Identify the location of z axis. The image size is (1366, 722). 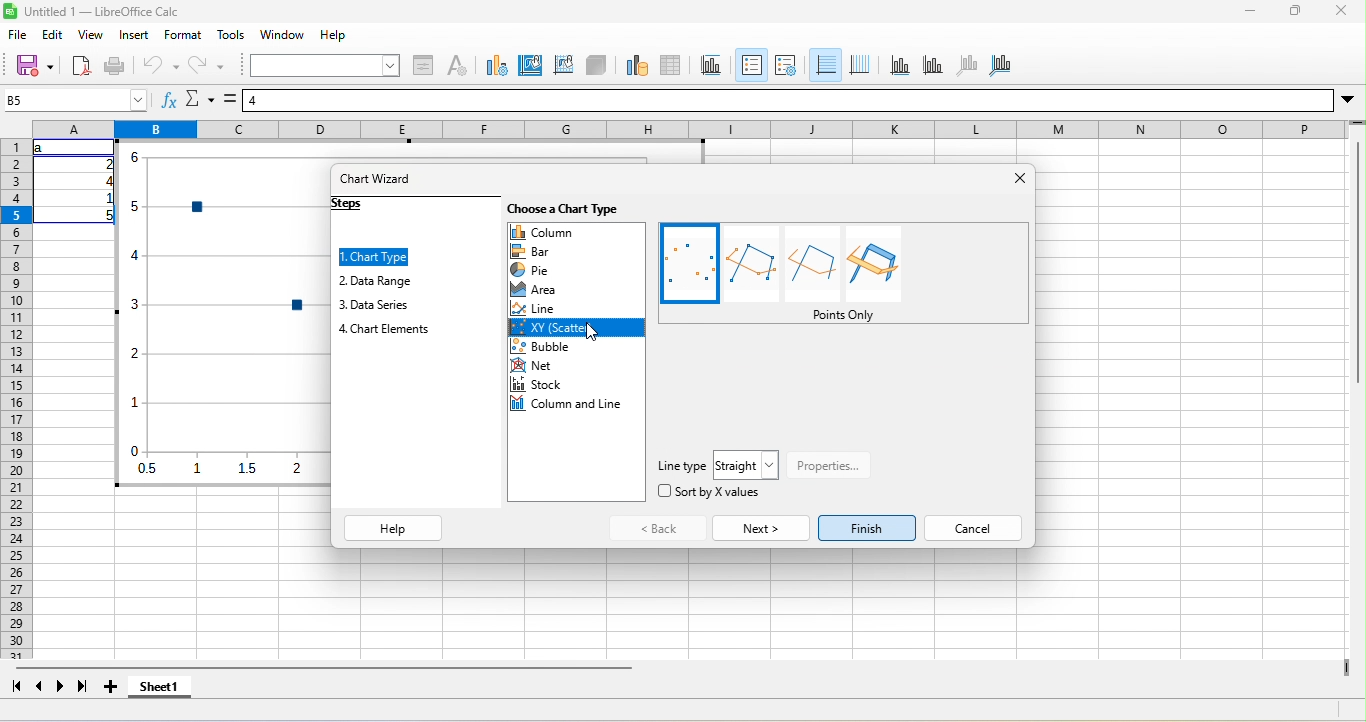
(968, 67).